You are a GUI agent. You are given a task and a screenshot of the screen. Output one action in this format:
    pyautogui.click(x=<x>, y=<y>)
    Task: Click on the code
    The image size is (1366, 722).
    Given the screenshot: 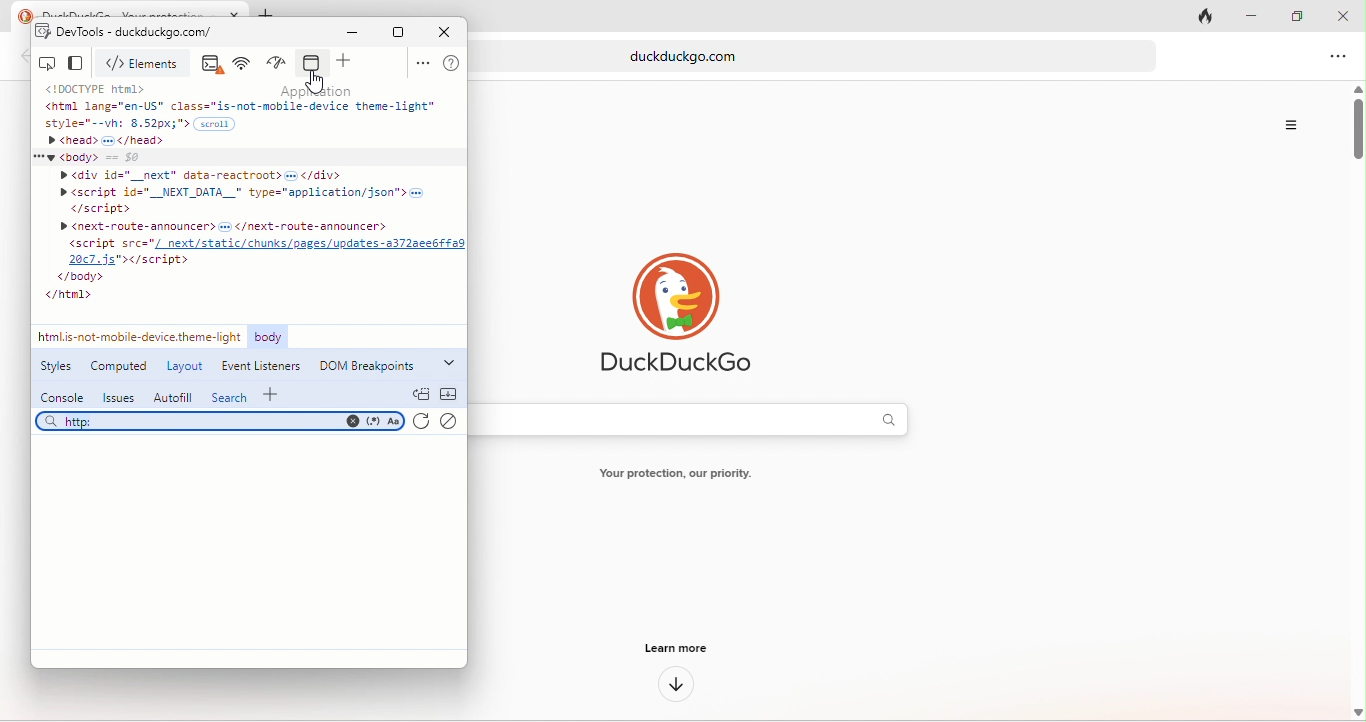 What is the action you would take?
    pyautogui.click(x=247, y=195)
    